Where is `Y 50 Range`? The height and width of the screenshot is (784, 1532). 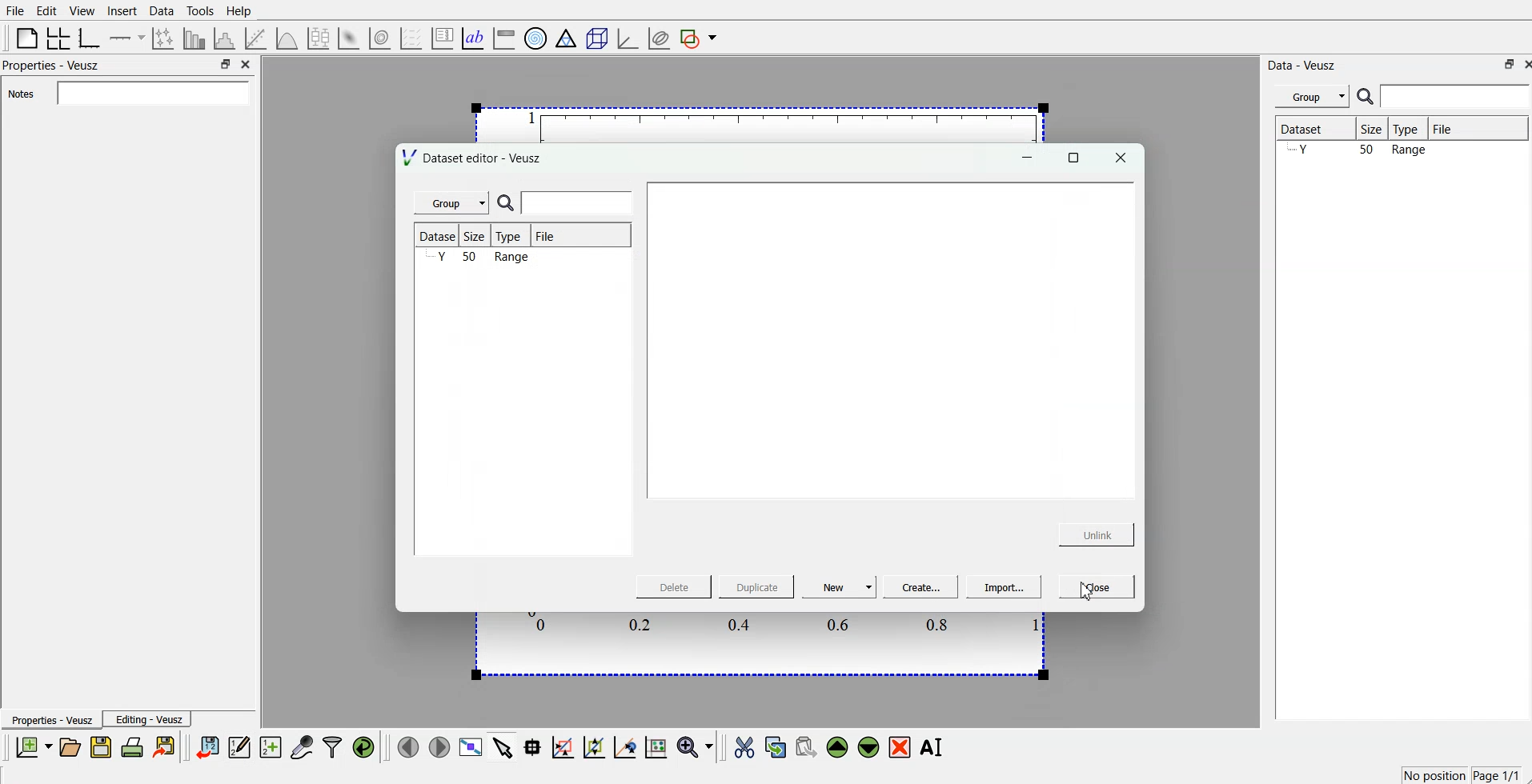 Y 50 Range is located at coordinates (1362, 150).